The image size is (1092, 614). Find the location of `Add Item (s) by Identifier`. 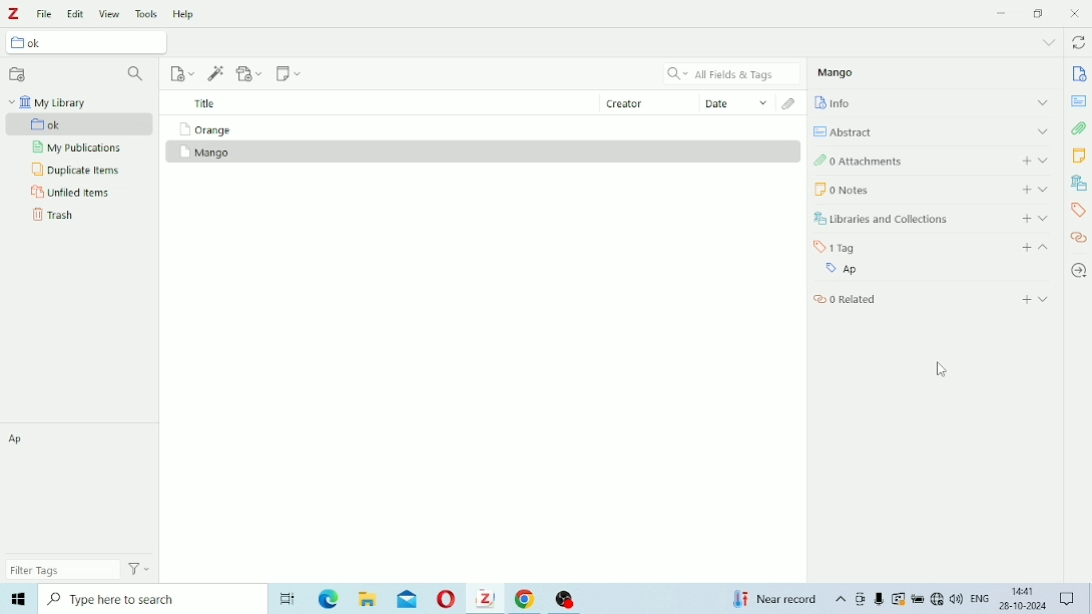

Add Item (s) by Identifier is located at coordinates (216, 73).